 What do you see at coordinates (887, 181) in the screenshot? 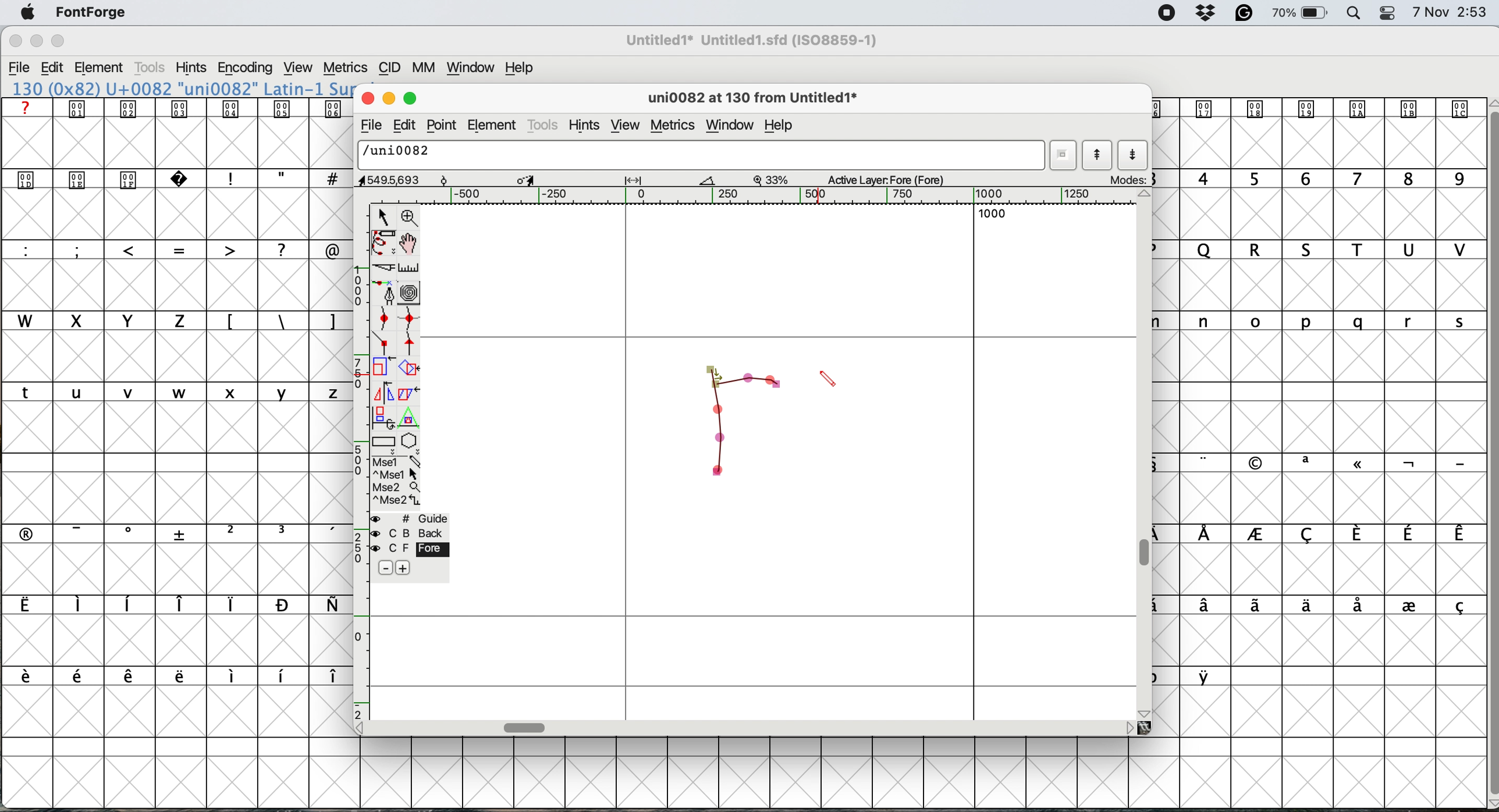
I see `active layers` at bounding box center [887, 181].